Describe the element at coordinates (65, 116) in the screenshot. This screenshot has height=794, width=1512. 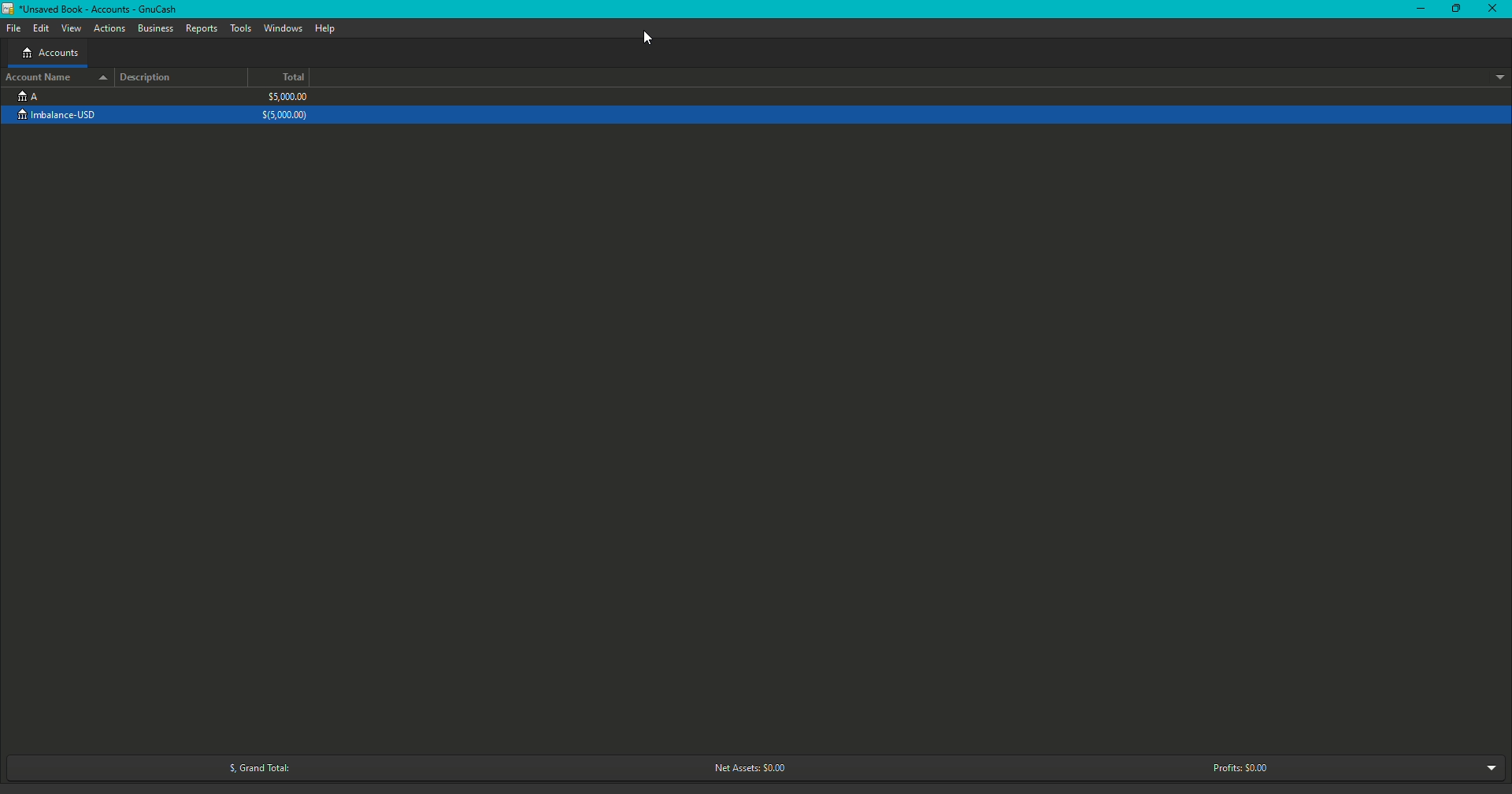
I see `Imbalance` at that location.